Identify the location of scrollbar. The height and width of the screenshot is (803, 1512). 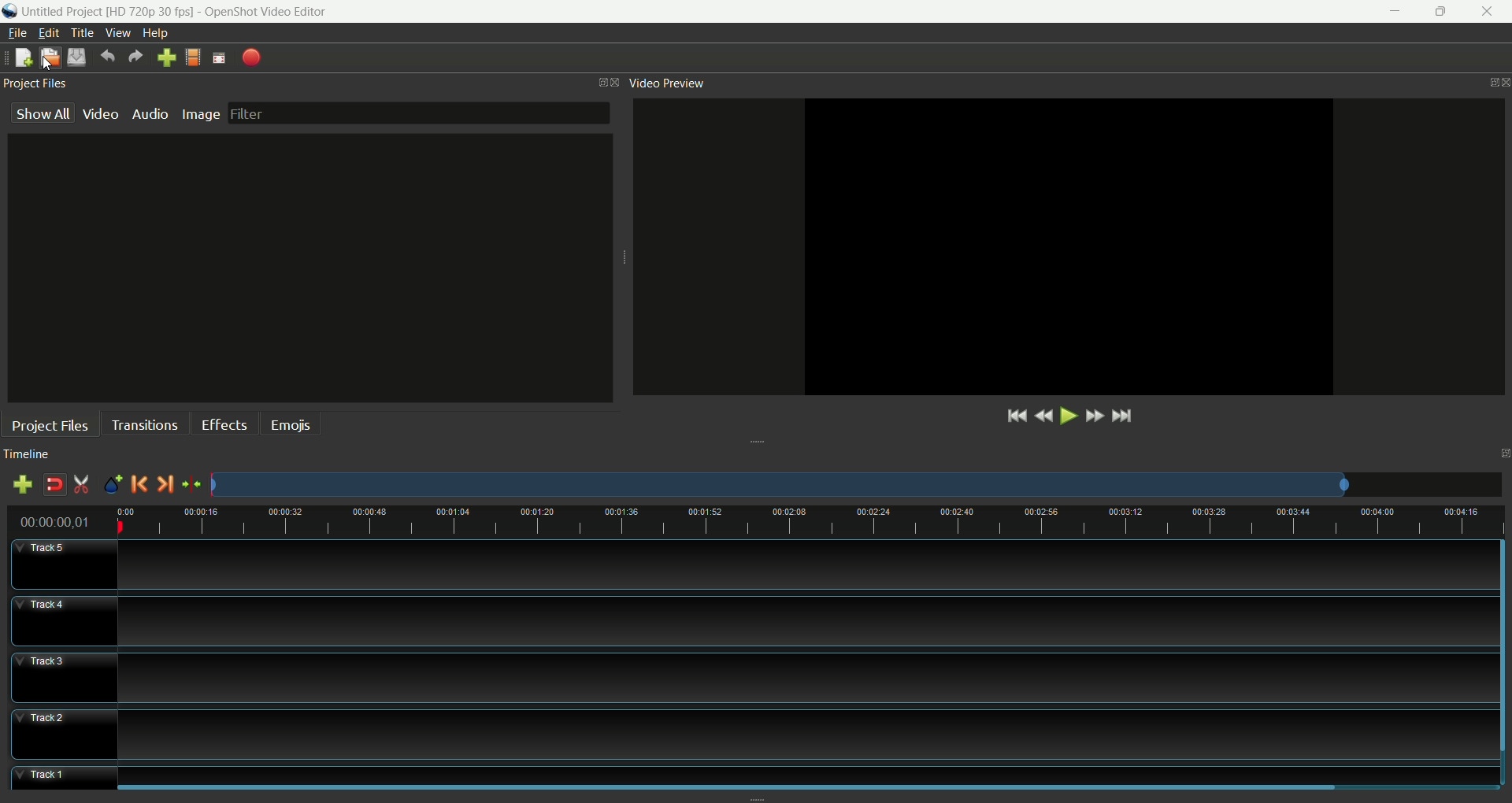
(722, 787).